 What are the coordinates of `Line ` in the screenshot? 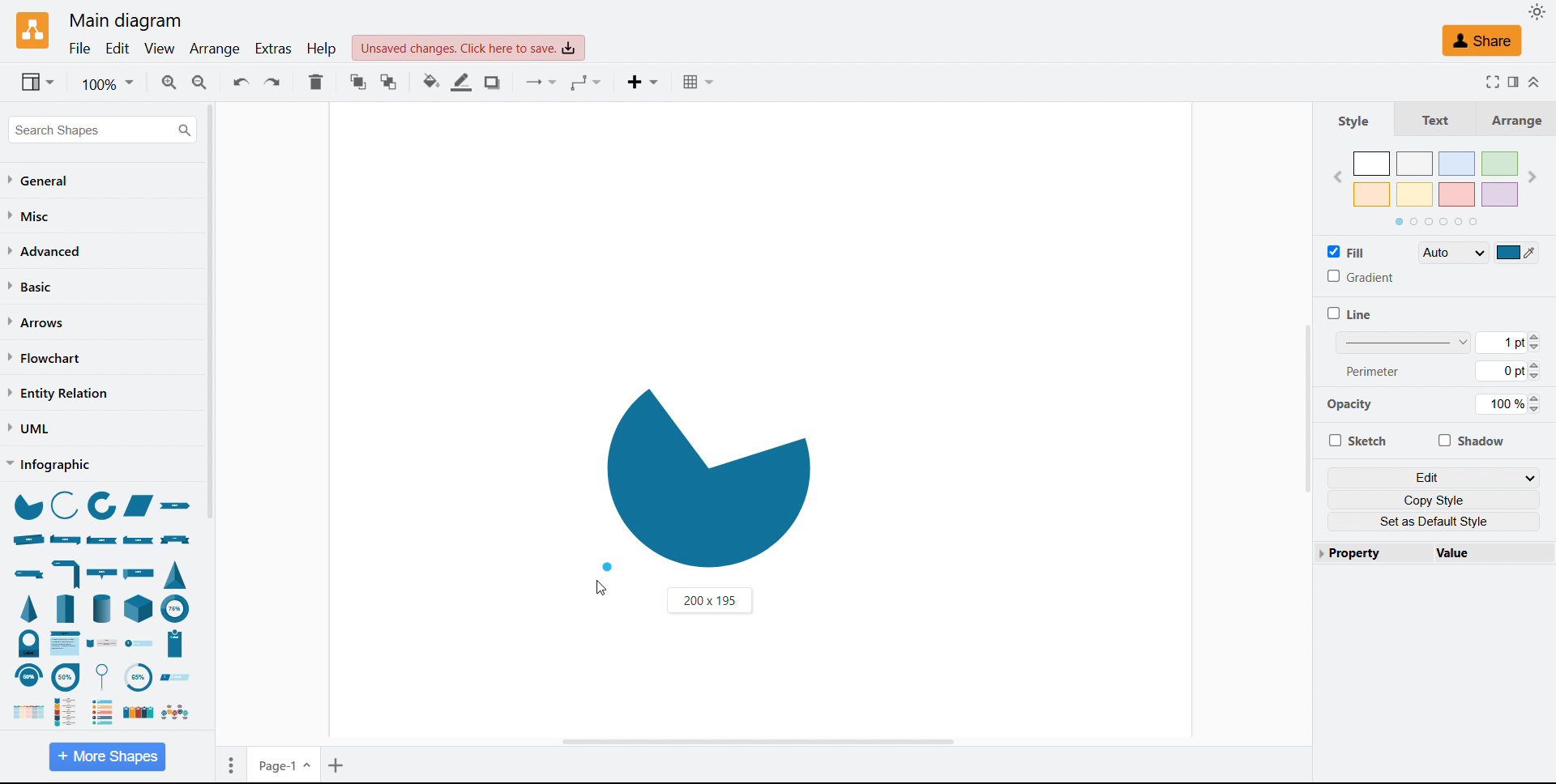 It's located at (1349, 313).